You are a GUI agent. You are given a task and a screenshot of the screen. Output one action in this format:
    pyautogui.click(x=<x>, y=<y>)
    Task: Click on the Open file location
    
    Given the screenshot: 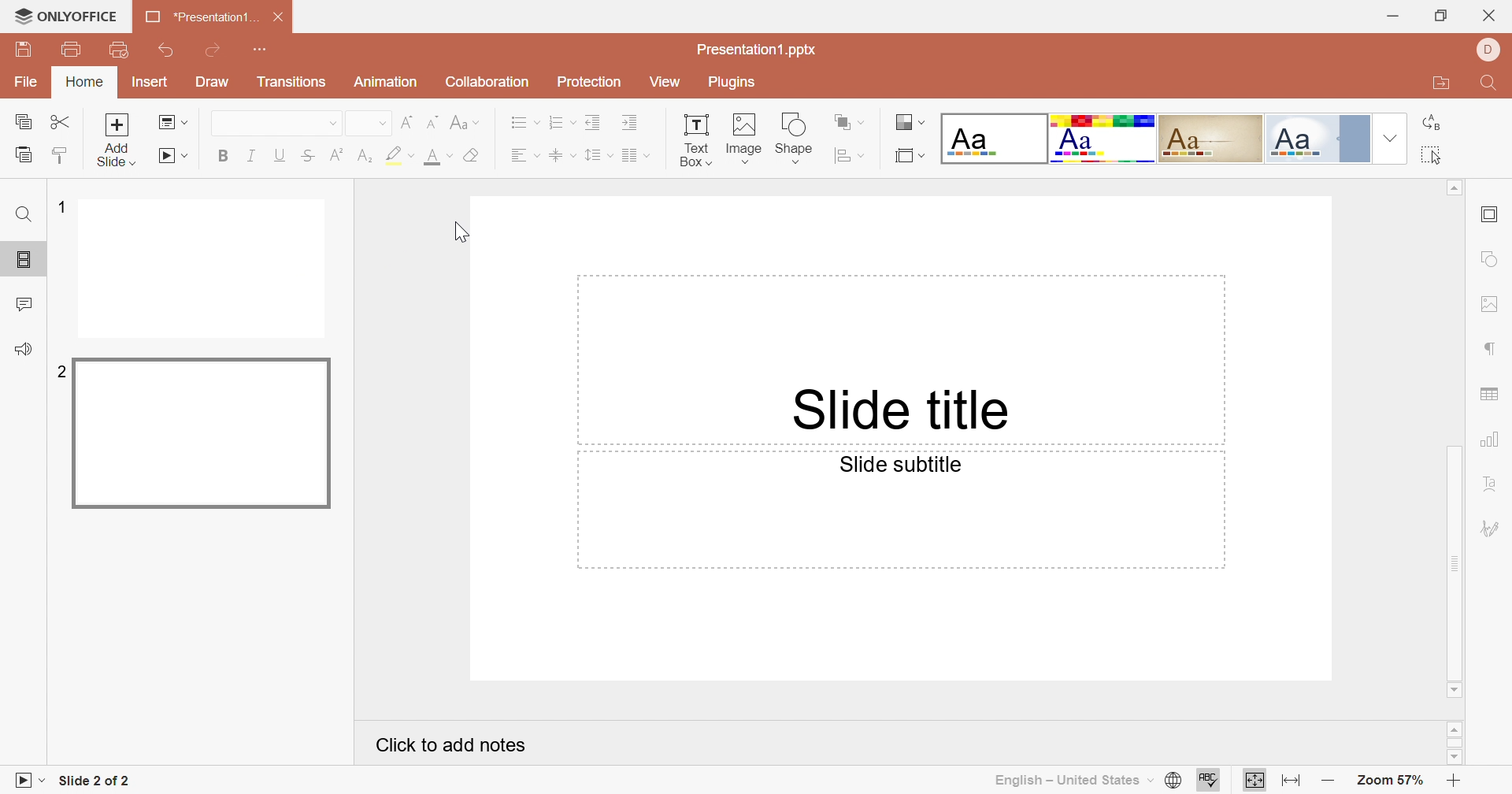 What is the action you would take?
    pyautogui.click(x=1438, y=83)
    